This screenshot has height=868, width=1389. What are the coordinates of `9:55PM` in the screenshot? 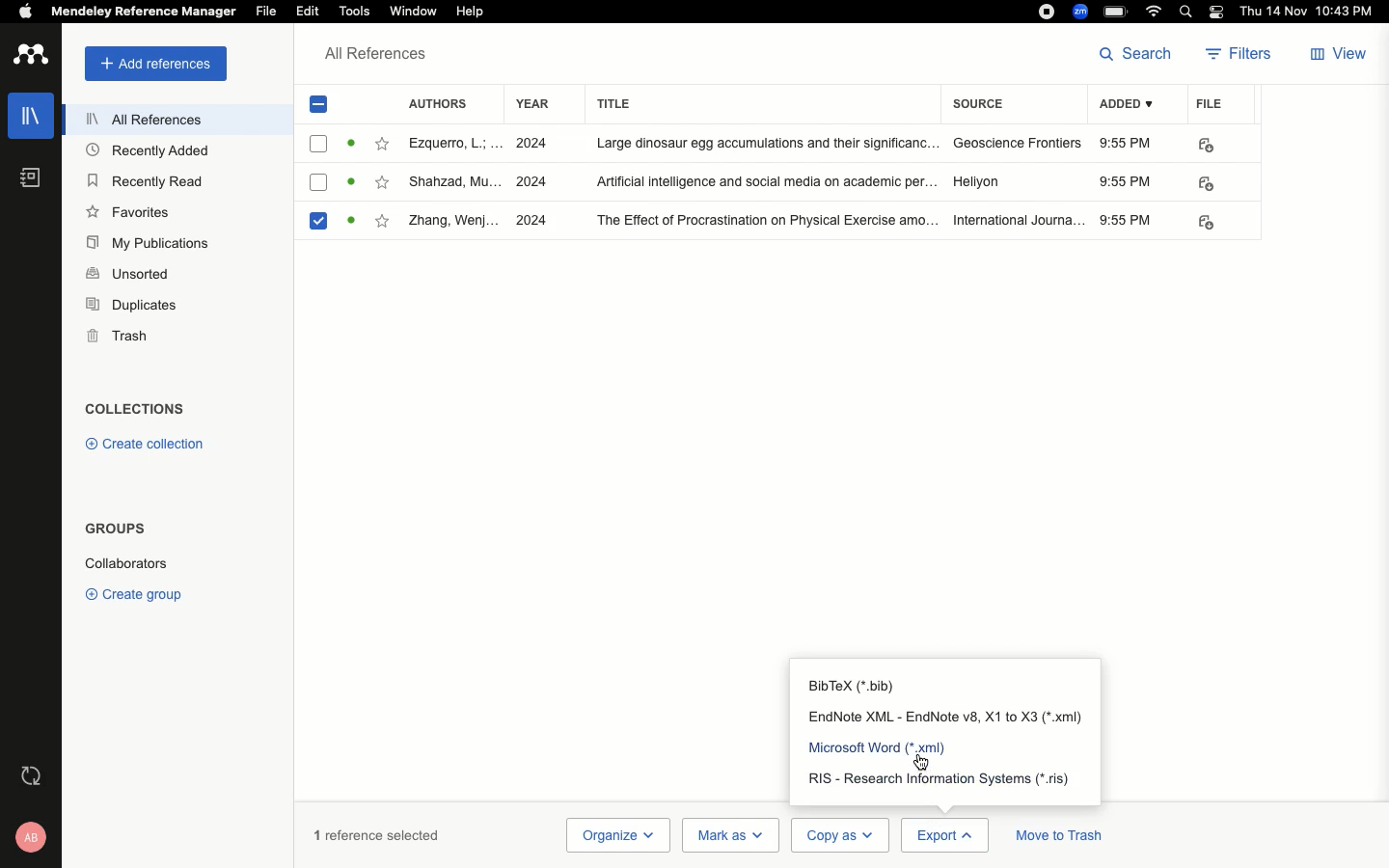 It's located at (1125, 220).